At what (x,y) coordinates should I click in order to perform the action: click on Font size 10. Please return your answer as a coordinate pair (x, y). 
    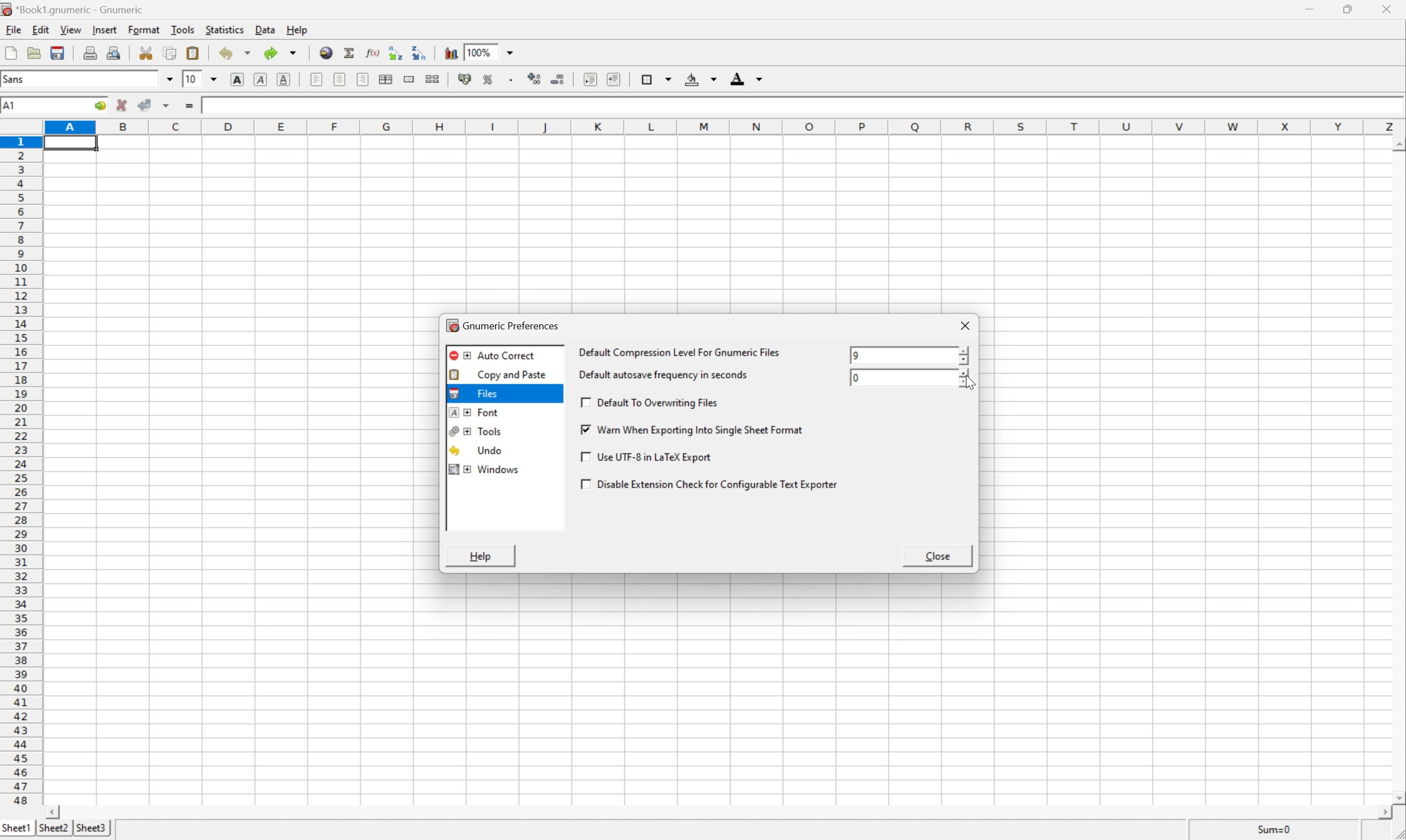
    Looking at the image, I should click on (202, 80).